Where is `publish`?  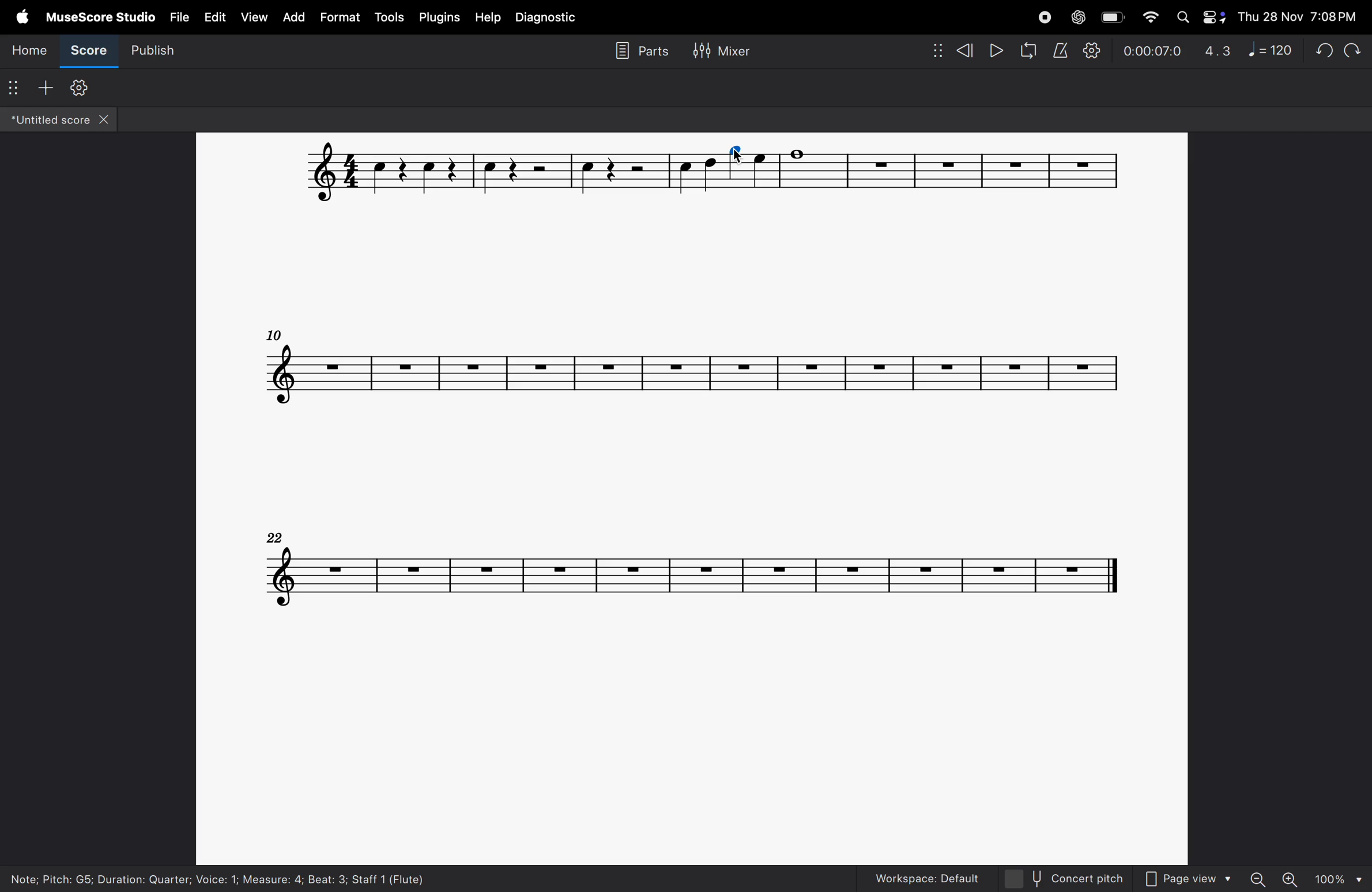
publish is located at coordinates (149, 50).